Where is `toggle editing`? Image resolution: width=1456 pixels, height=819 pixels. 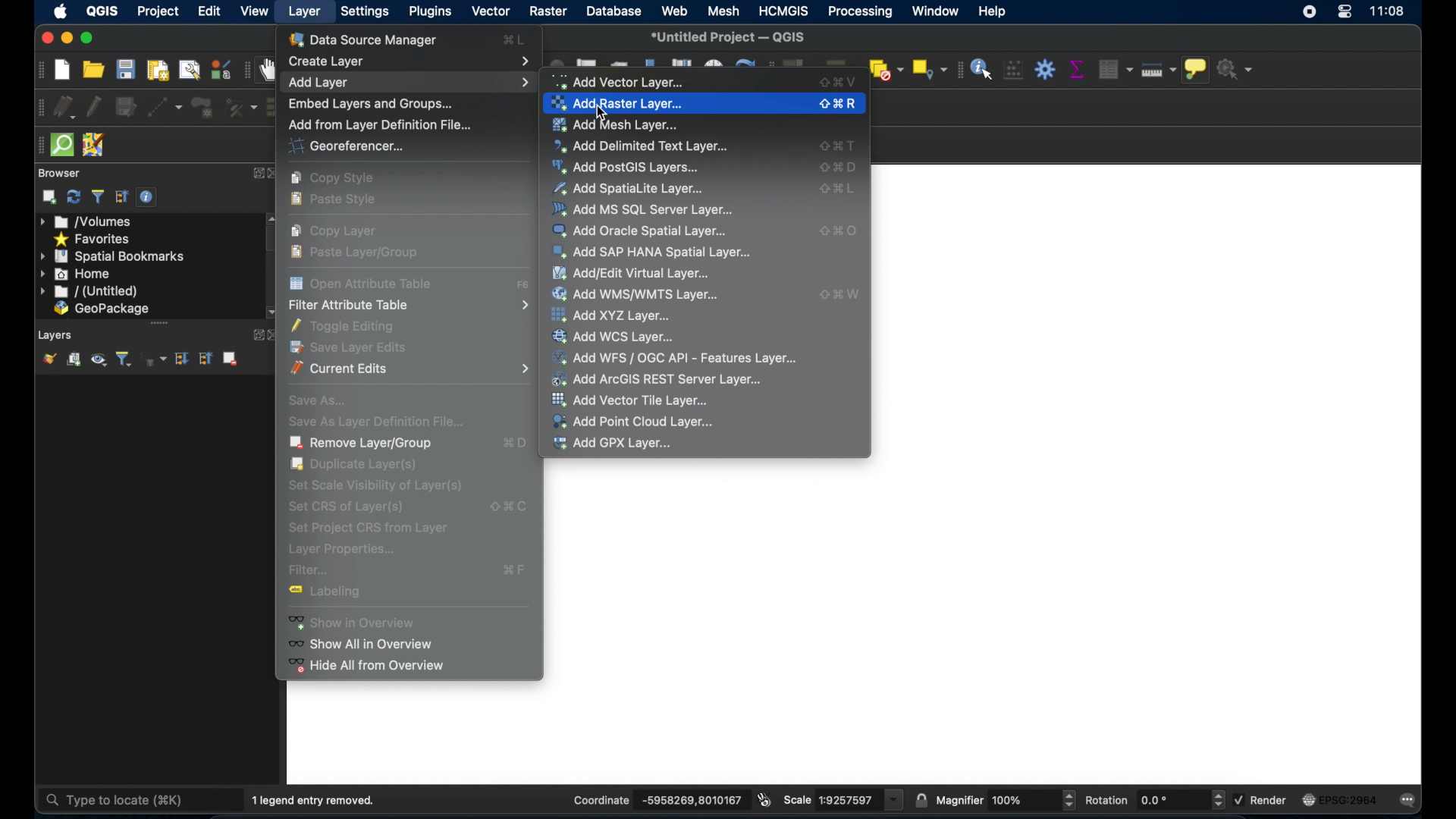
toggle editing is located at coordinates (95, 105).